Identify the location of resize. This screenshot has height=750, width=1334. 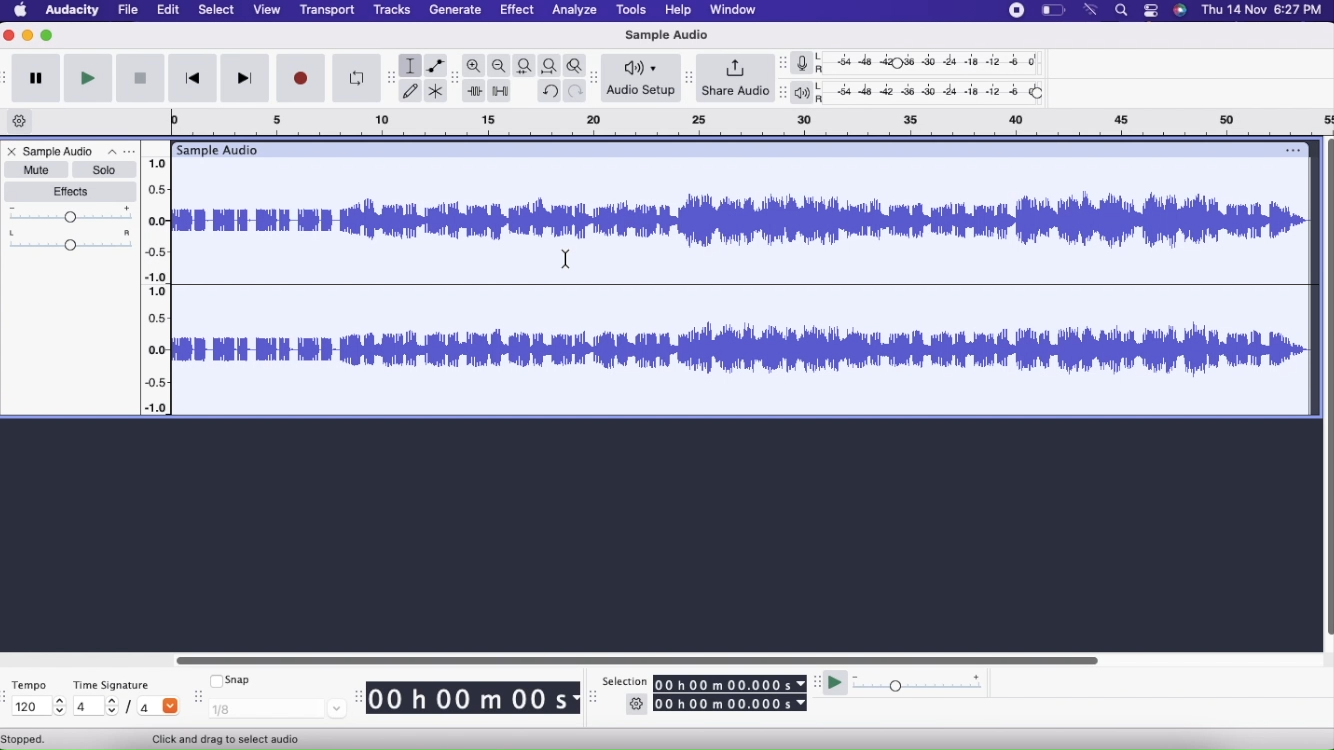
(782, 64).